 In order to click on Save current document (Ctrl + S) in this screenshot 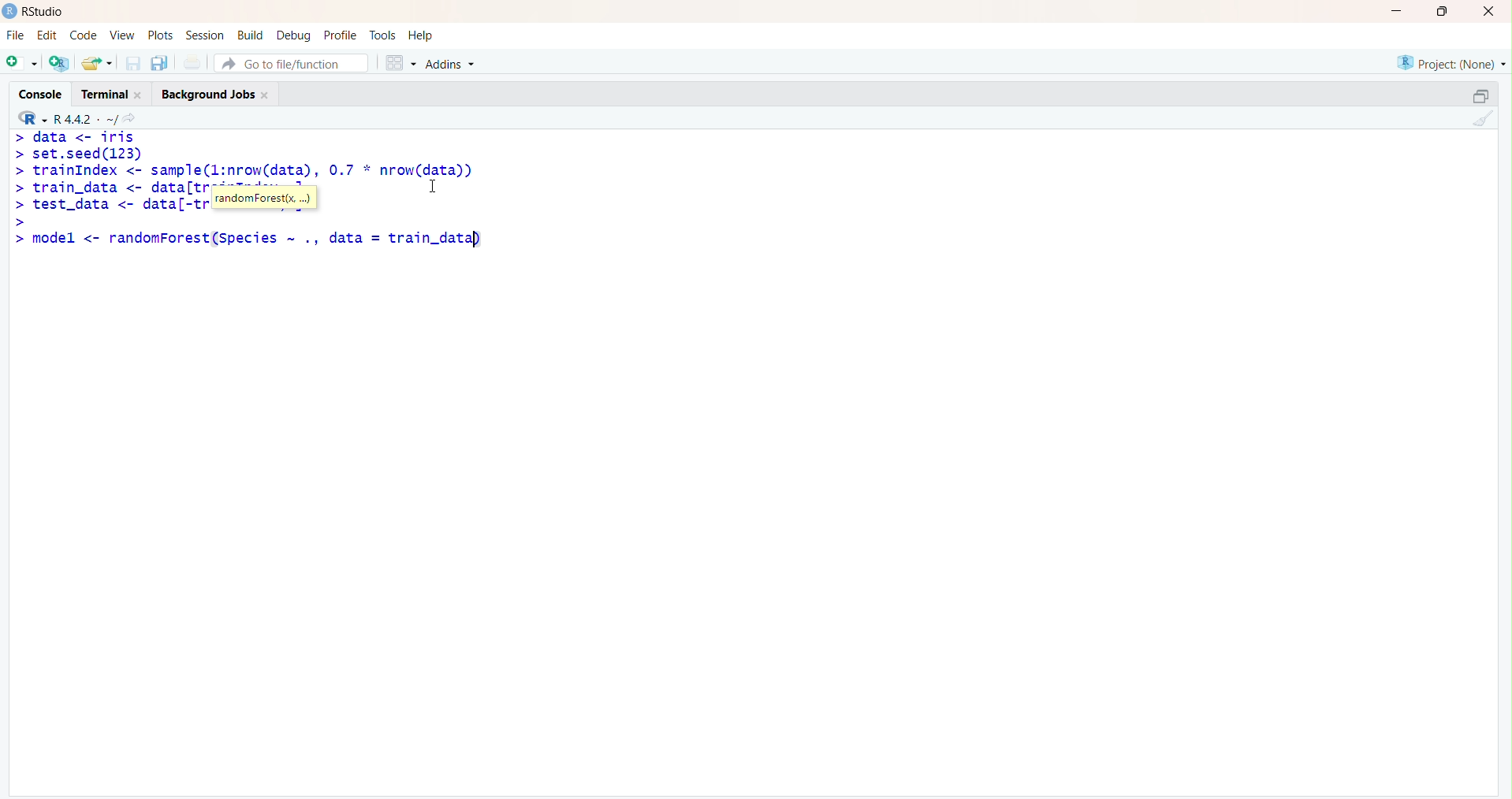, I will do `click(132, 64)`.